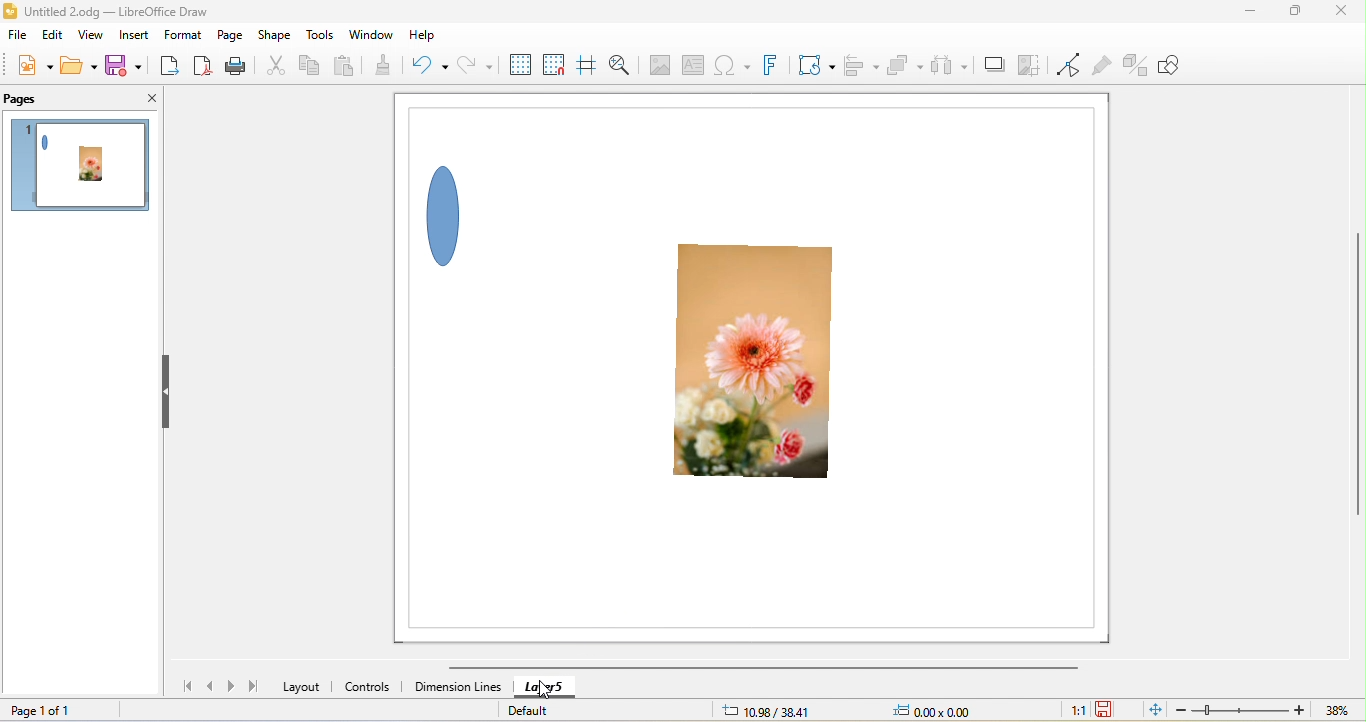 Image resolution: width=1366 pixels, height=722 pixels. Describe the element at coordinates (51, 39) in the screenshot. I see `edit` at that location.